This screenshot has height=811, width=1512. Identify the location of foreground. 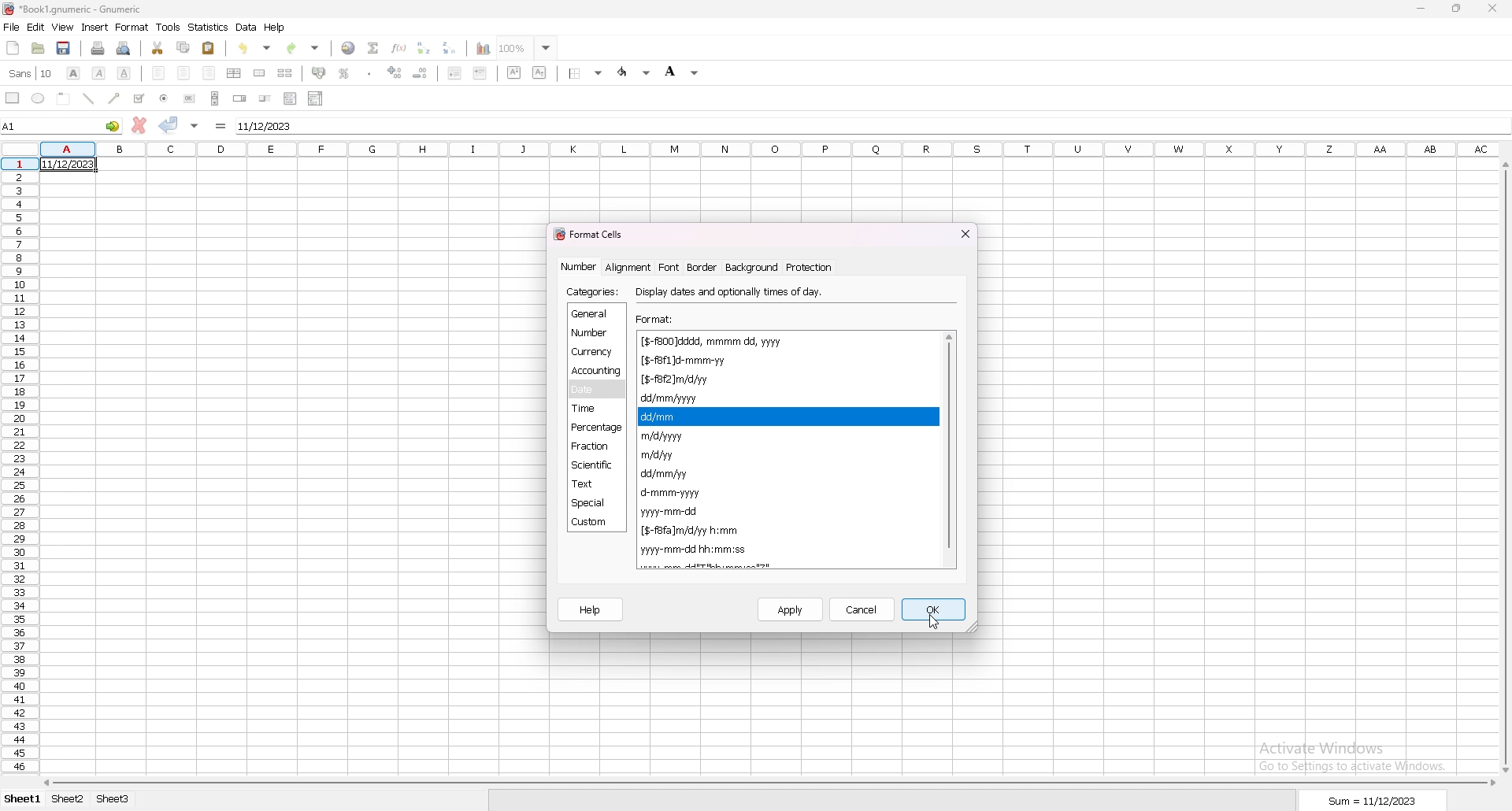
(635, 72).